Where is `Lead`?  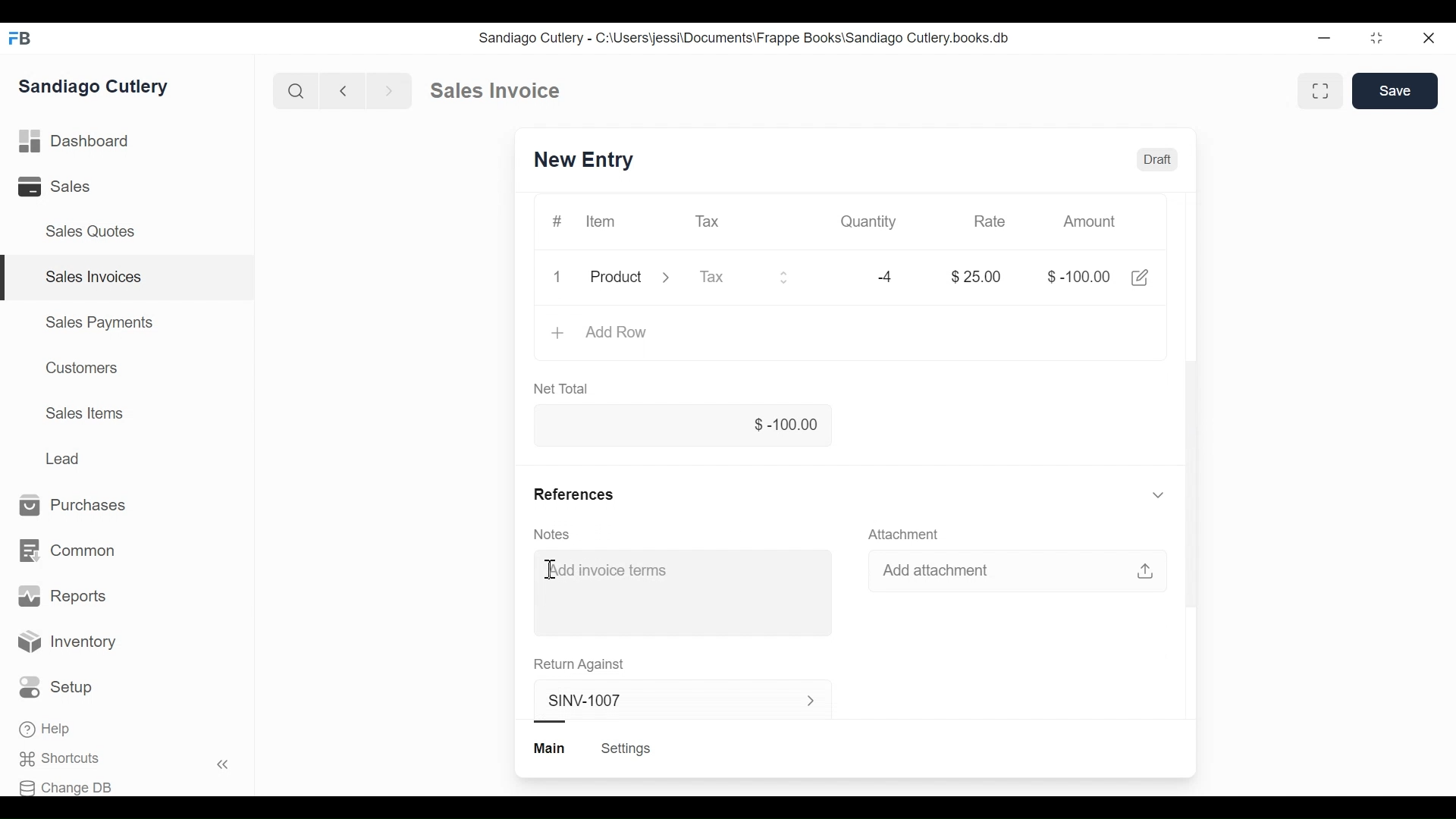
Lead is located at coordinates (64, 457).